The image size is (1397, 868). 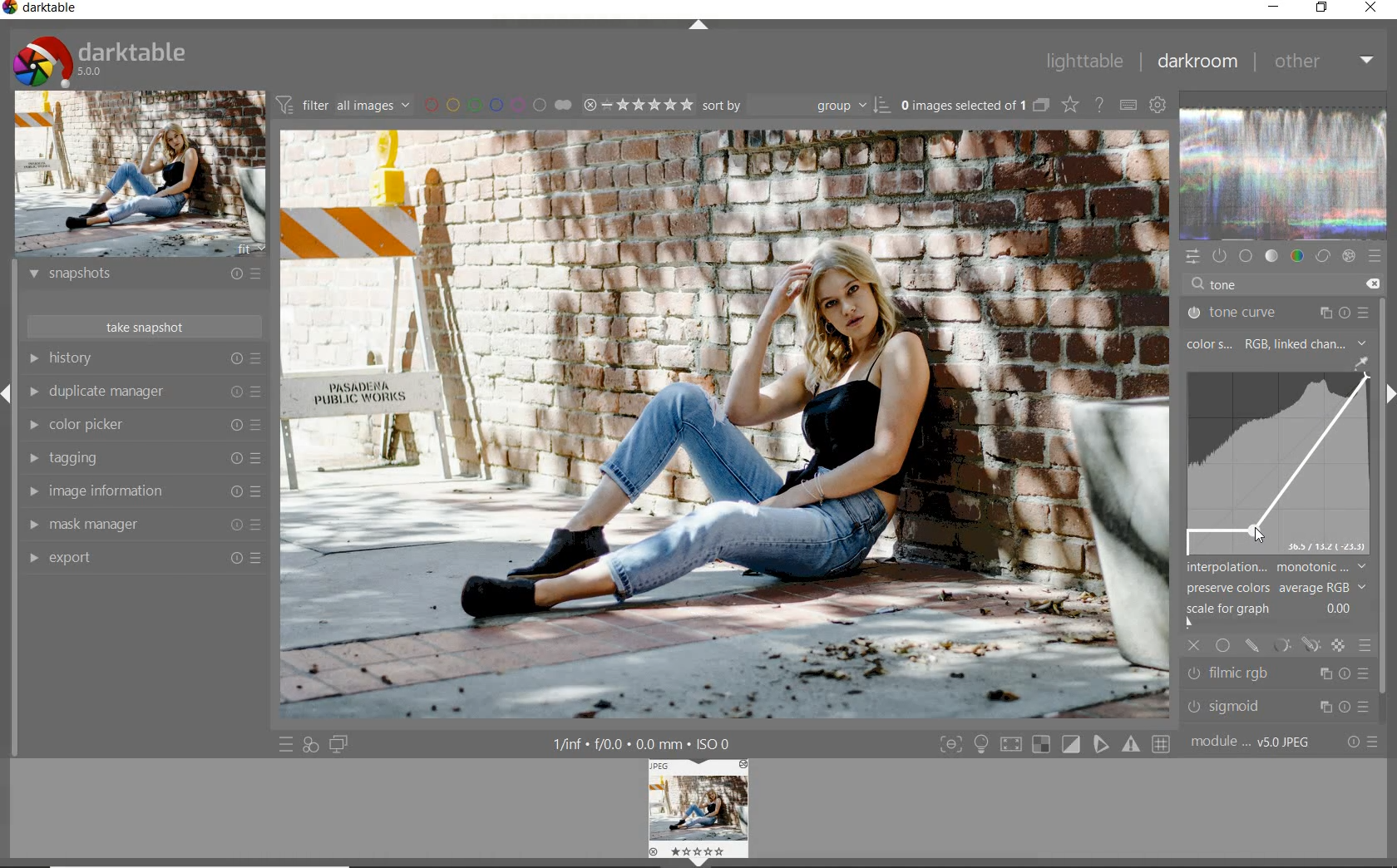 What do you see at coordinates (1376, 258) in the screenshot?
I see `presets` at bounding box center [1376, 258].